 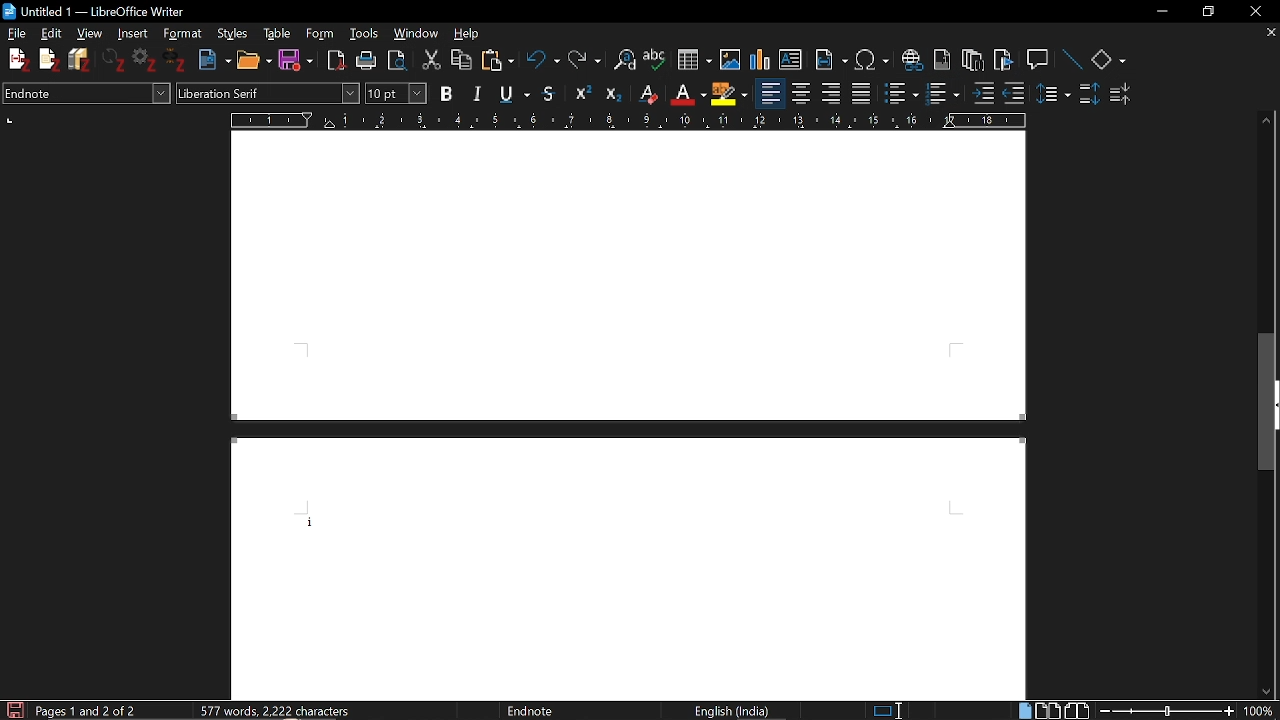 I want to click on Insert special character, so click(x=871, y=60).